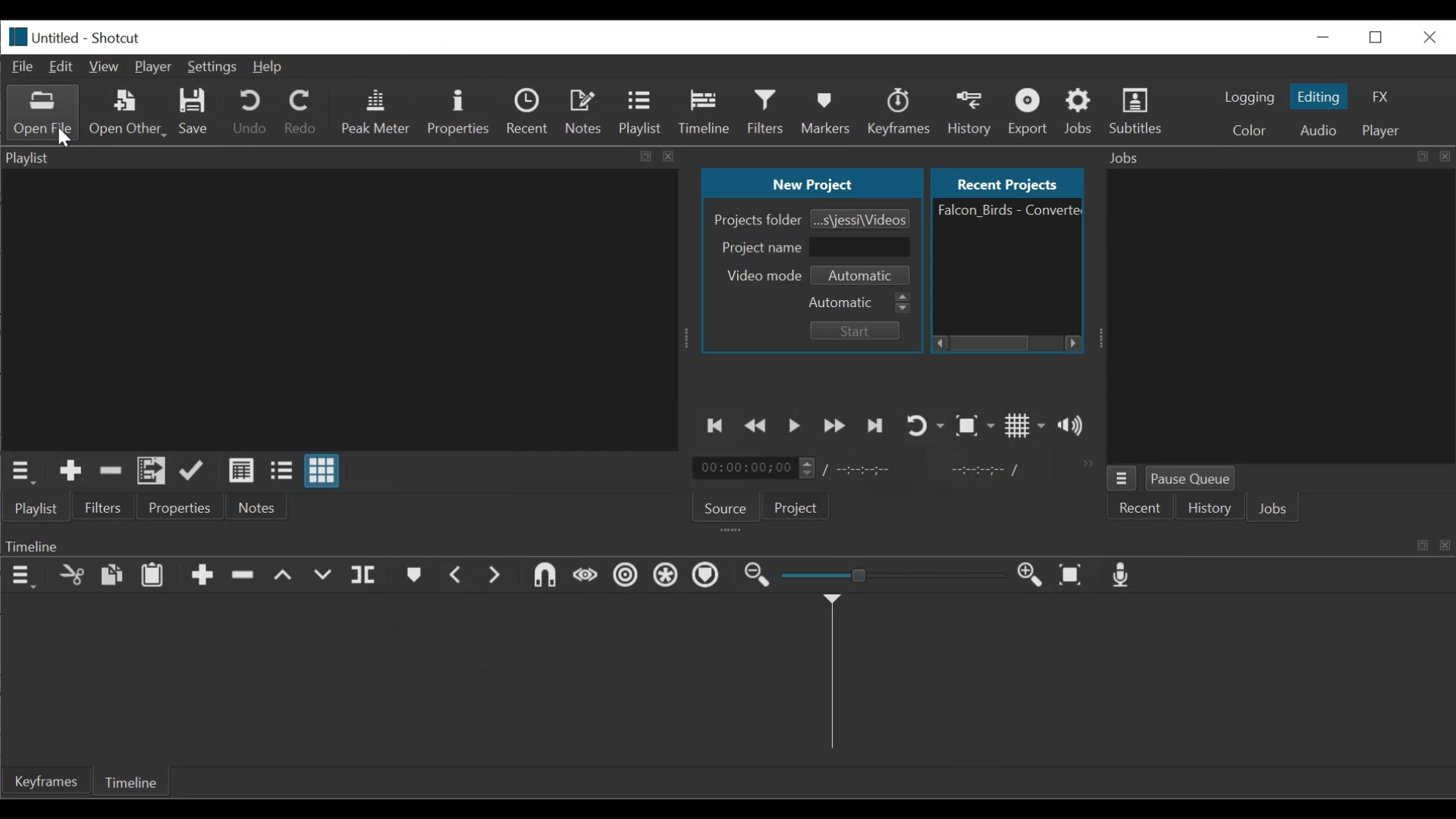  What do you see at coordinates (861, 470) in the screenshot?
I see `Total duration` at bounding box center [861, 470].